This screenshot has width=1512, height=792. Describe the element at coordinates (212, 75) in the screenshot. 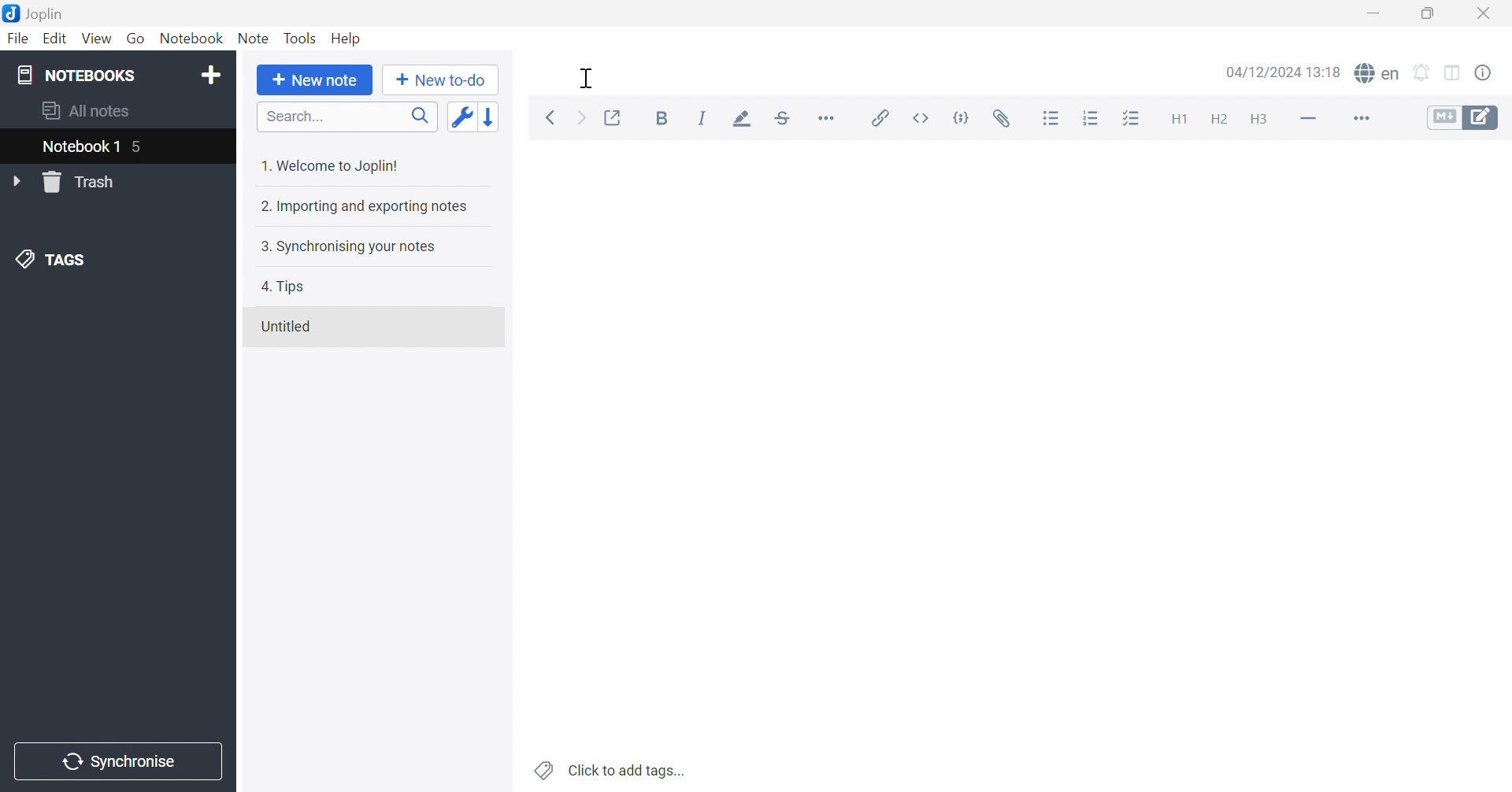

I see `Add notebook` at that location.